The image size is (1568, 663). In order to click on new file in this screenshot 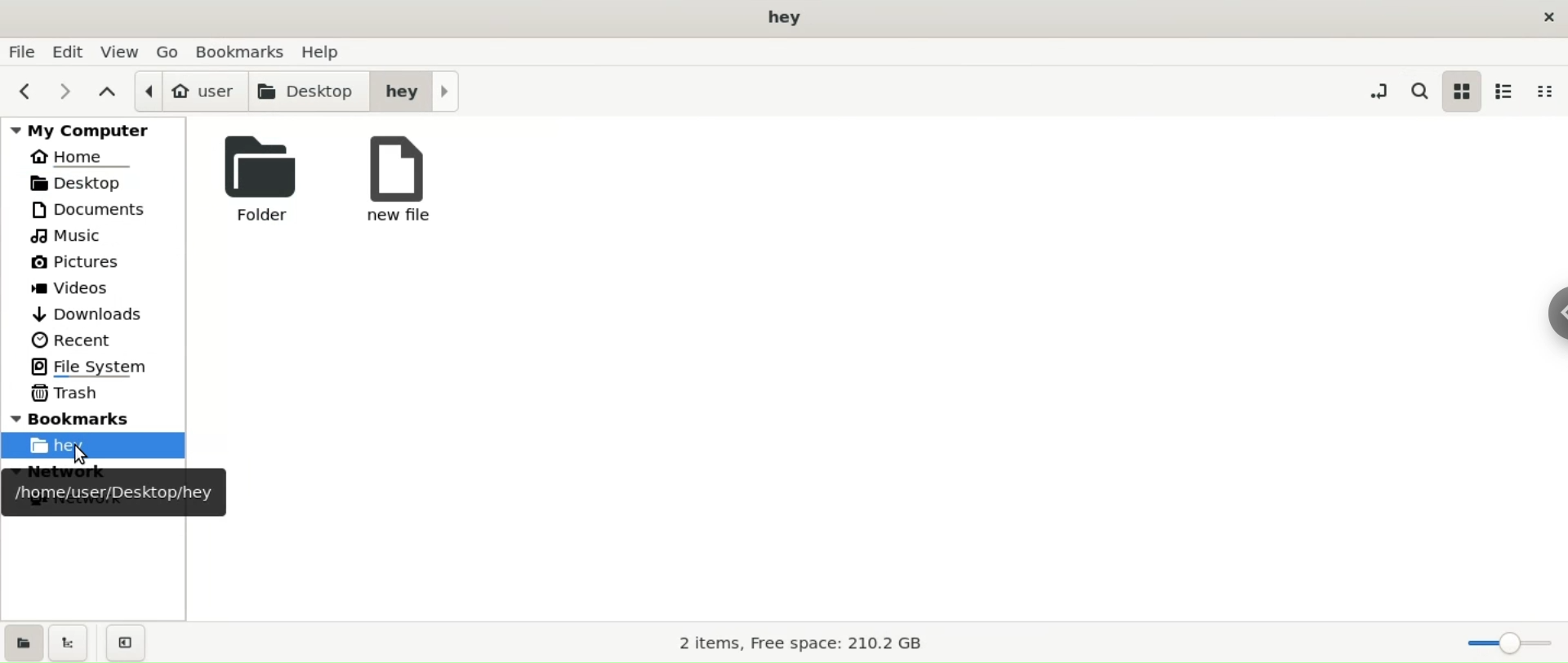, I will do `click(397, 185)`.